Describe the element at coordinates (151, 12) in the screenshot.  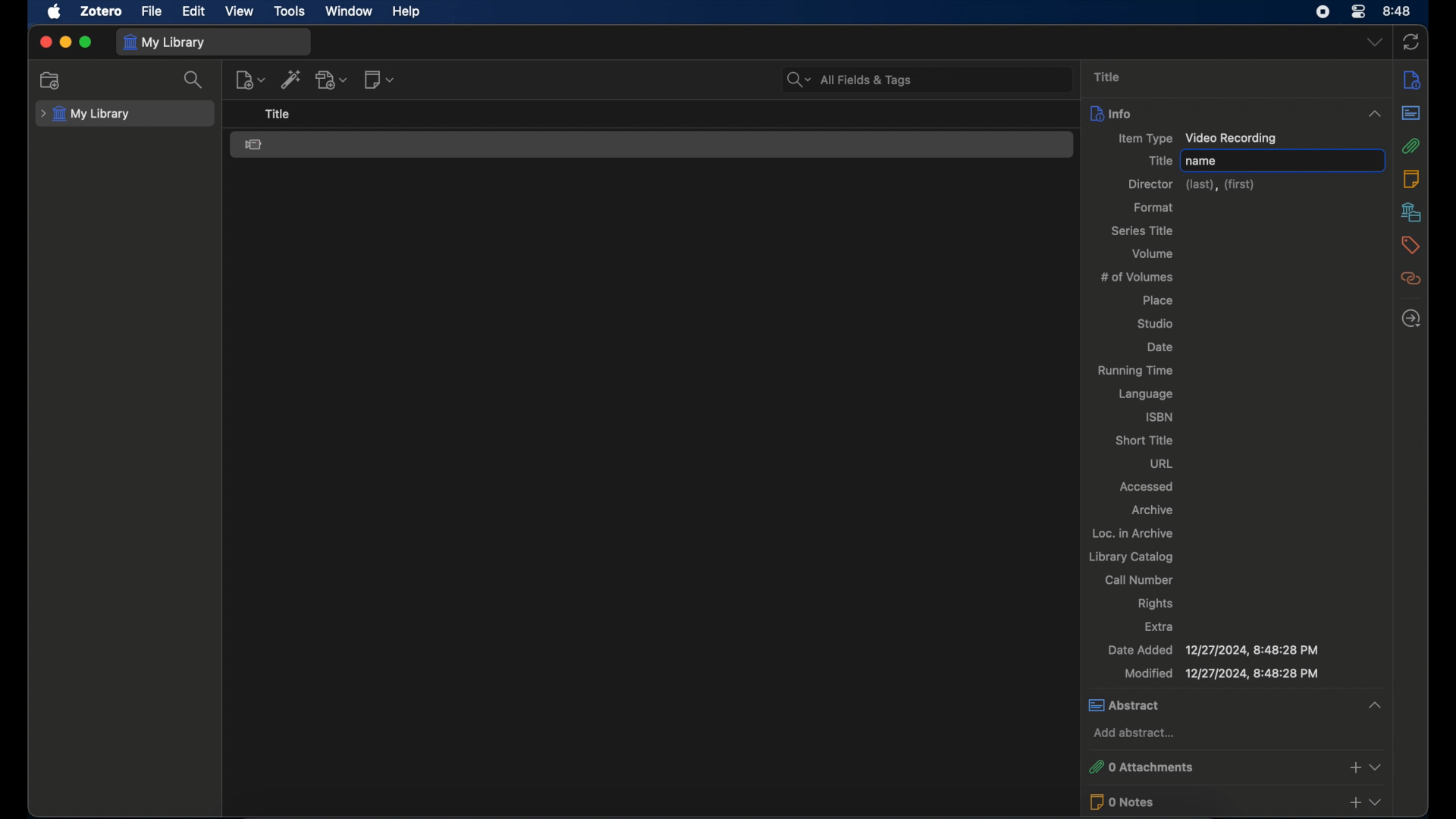
I see `file` at that location.